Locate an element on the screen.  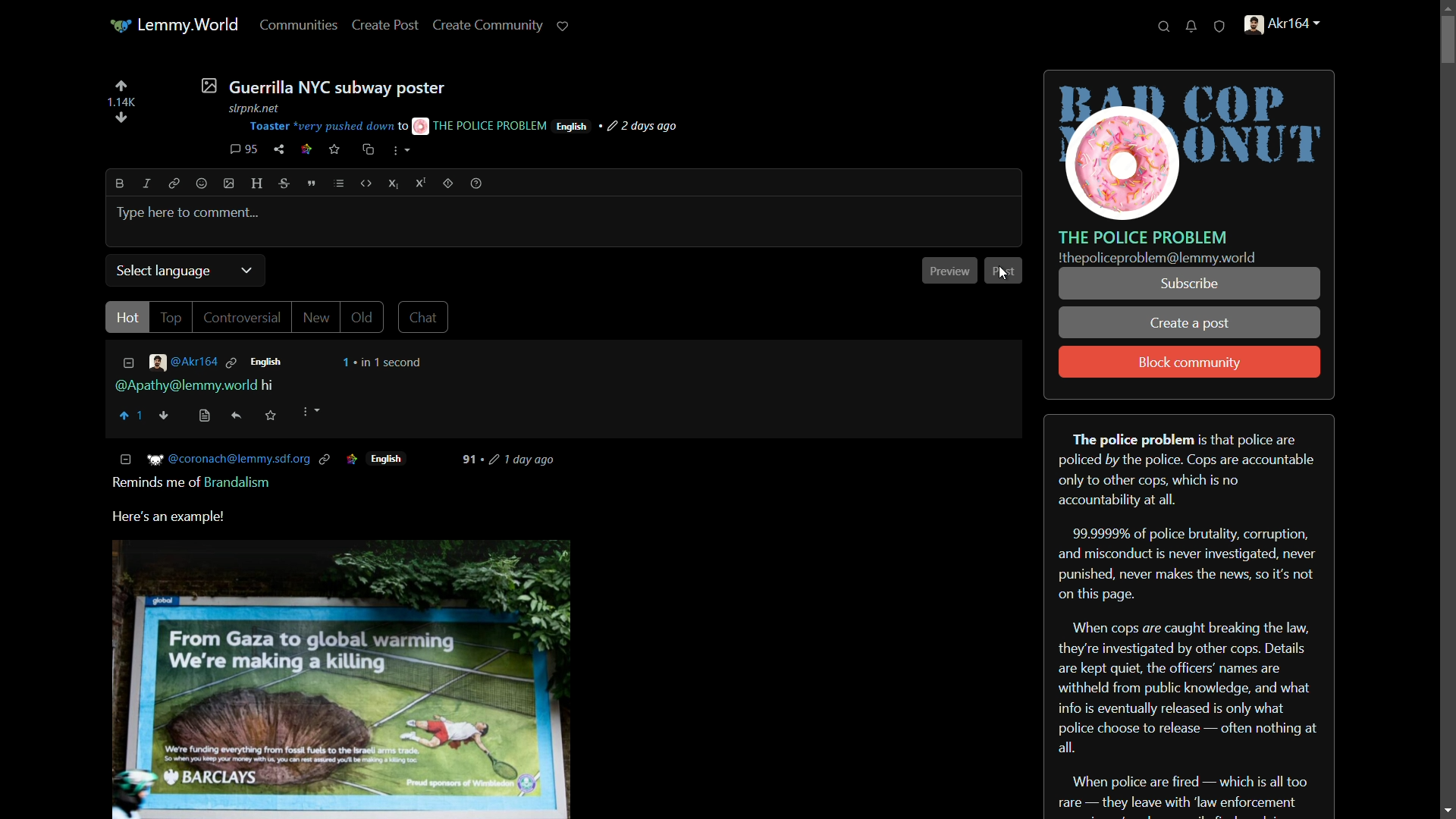
Here's an example! is located at coordinates (177, 518).